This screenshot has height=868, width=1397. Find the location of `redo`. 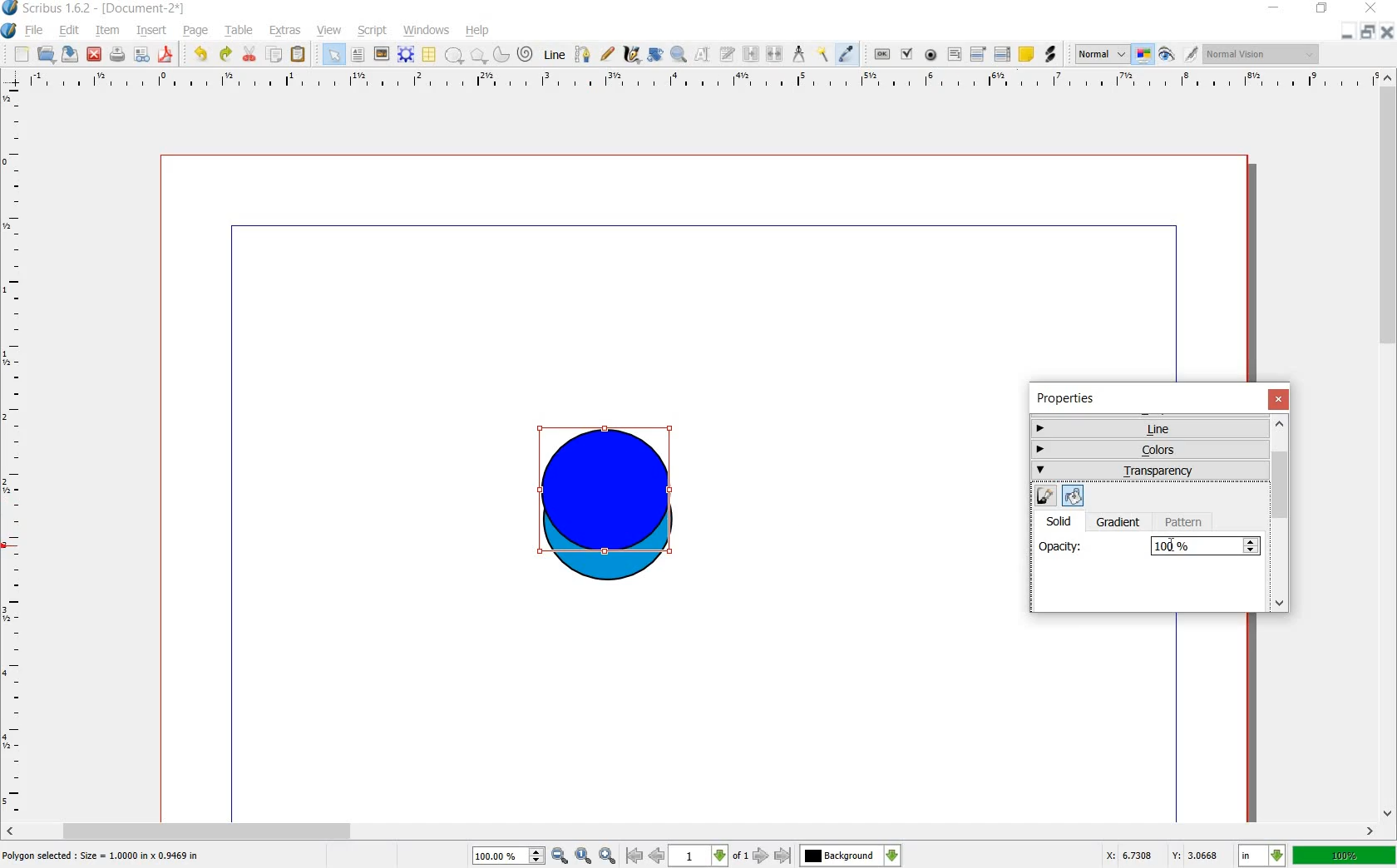

redo is located at coordinates (225, 55).